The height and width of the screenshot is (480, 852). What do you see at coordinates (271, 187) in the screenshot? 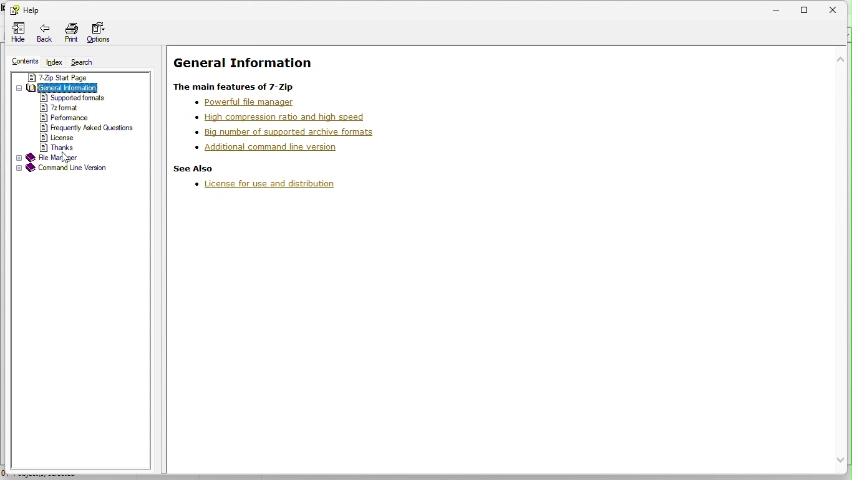
I see `License for use and distribution` at bounding box center [271, 187].